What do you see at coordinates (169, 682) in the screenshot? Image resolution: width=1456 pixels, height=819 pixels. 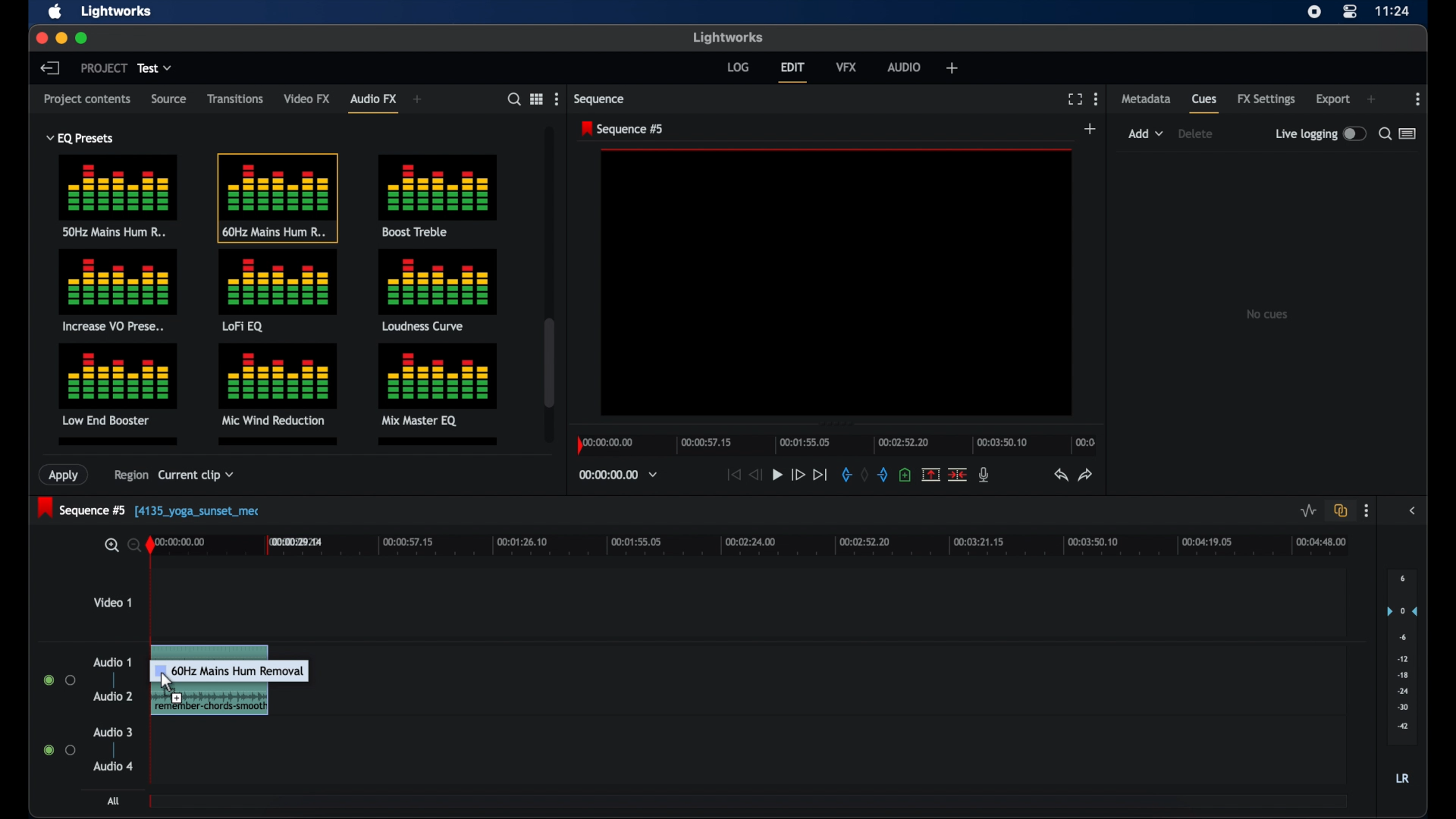 I see `cursor` at bounding box center [169, 682].